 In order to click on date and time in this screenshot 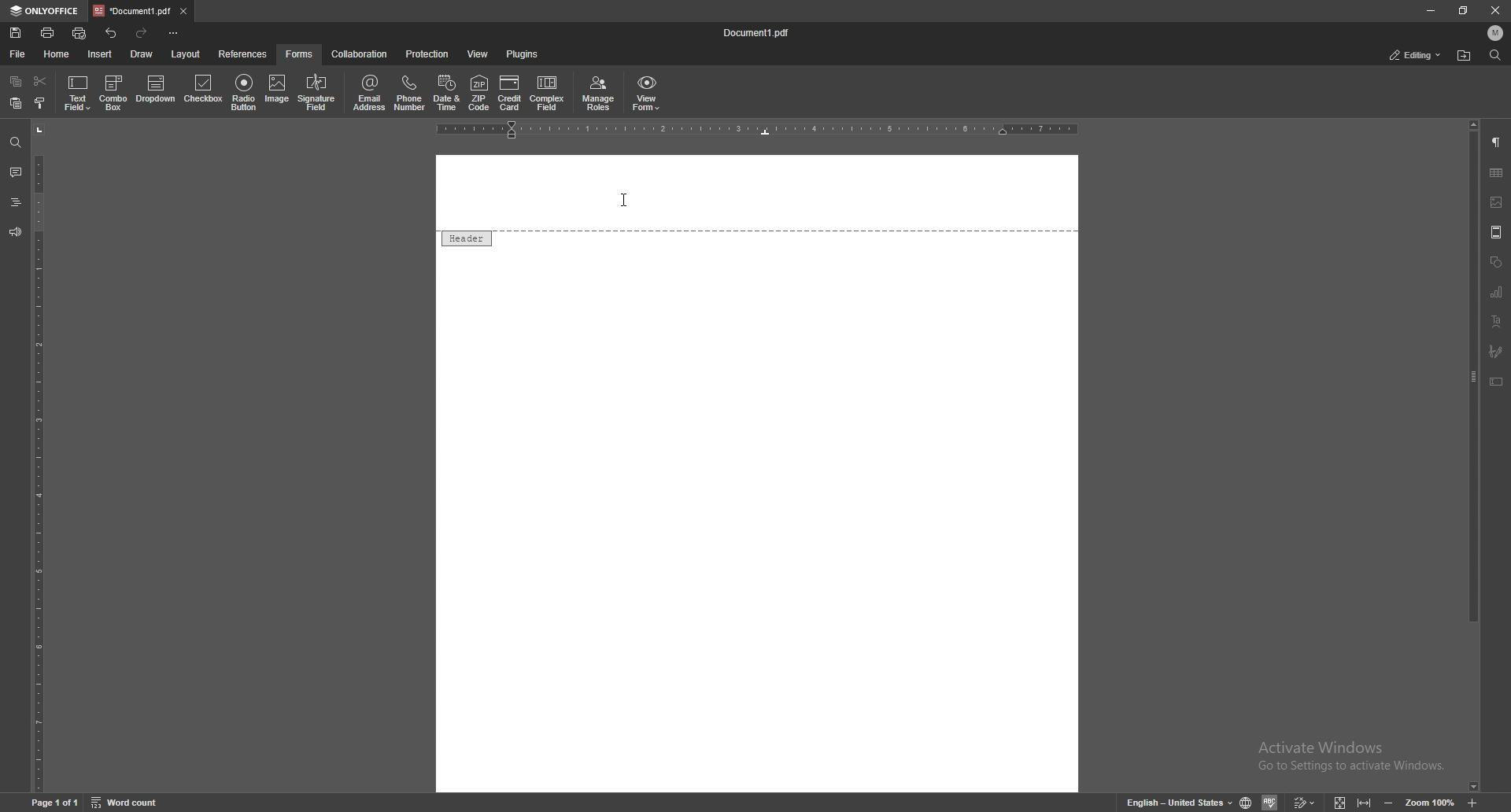, I will do `click(447, 94)`.